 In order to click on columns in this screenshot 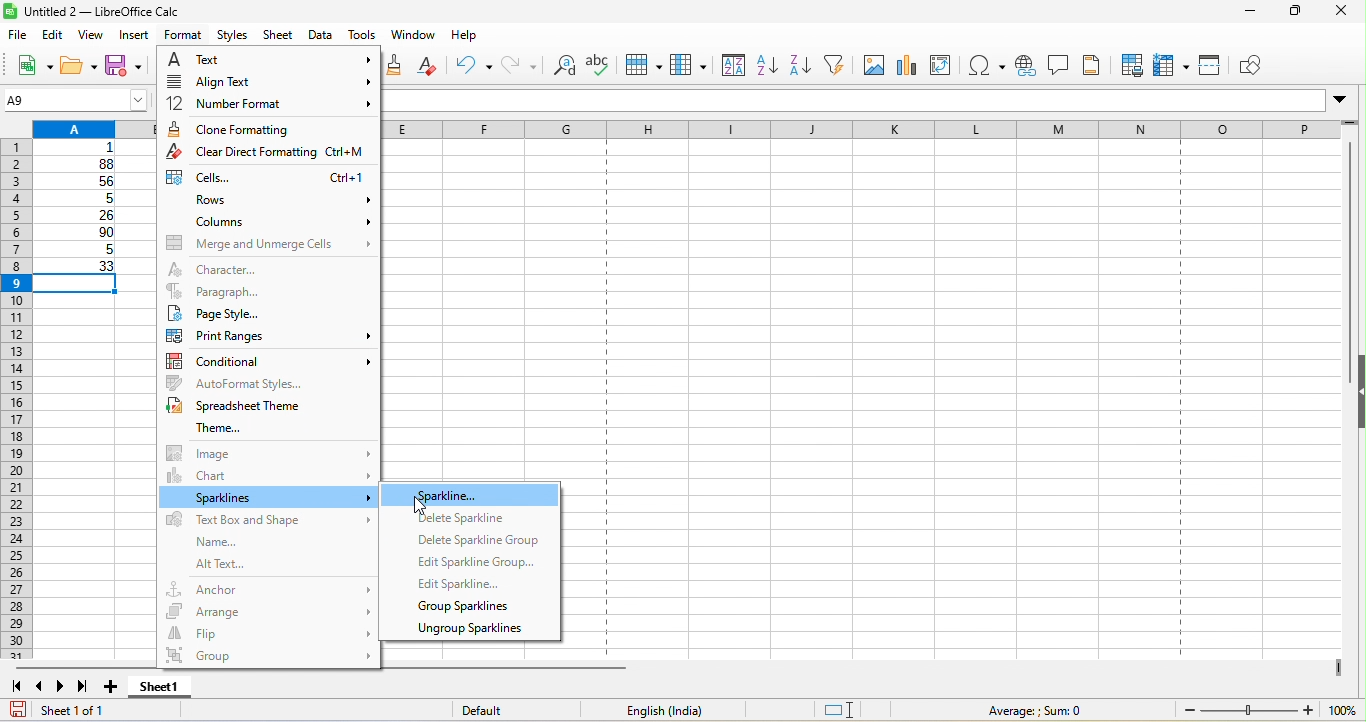, I will do `click(271, 222)`.